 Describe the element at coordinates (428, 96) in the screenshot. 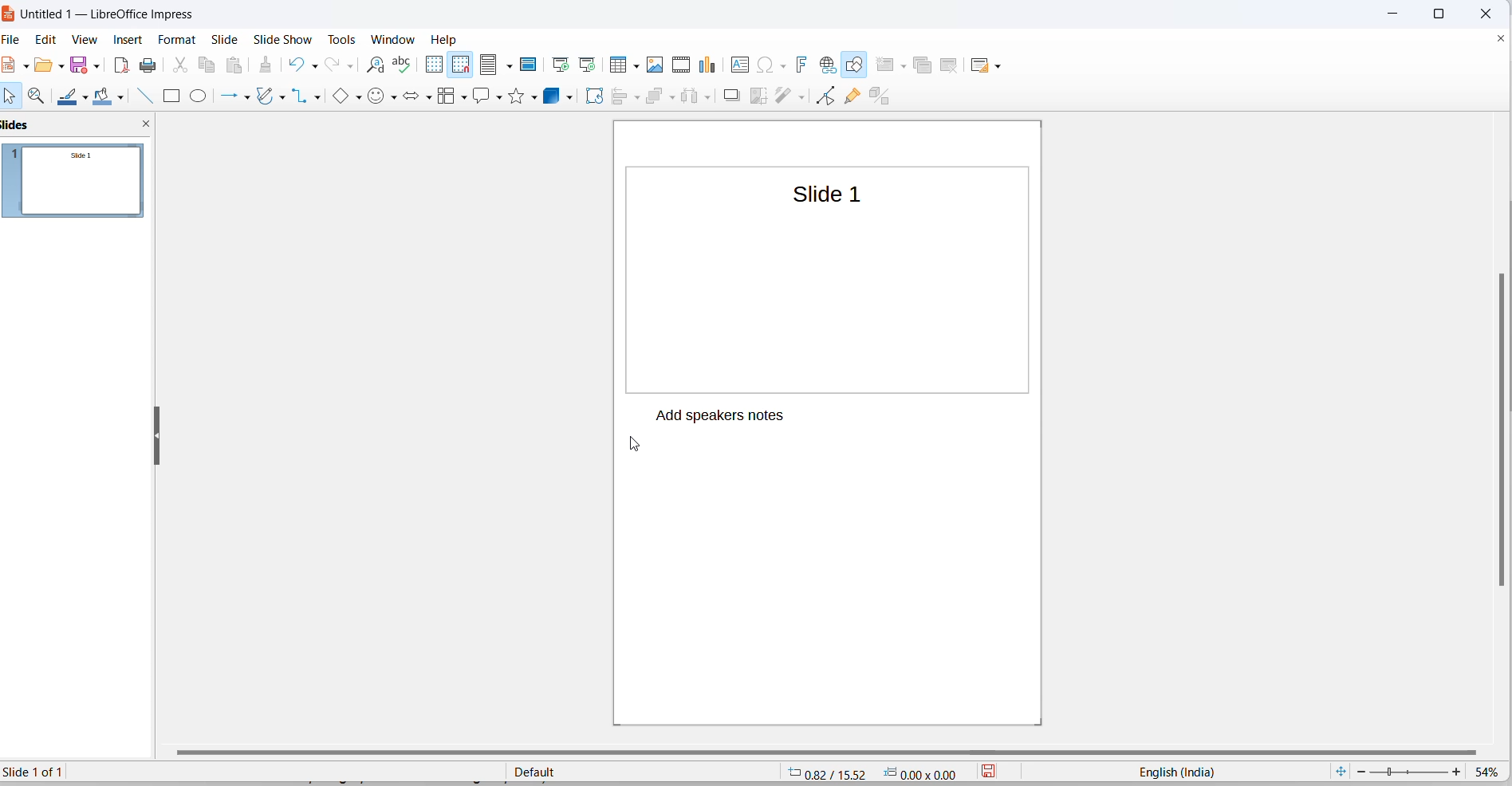

I see `block arrows options` at that location.